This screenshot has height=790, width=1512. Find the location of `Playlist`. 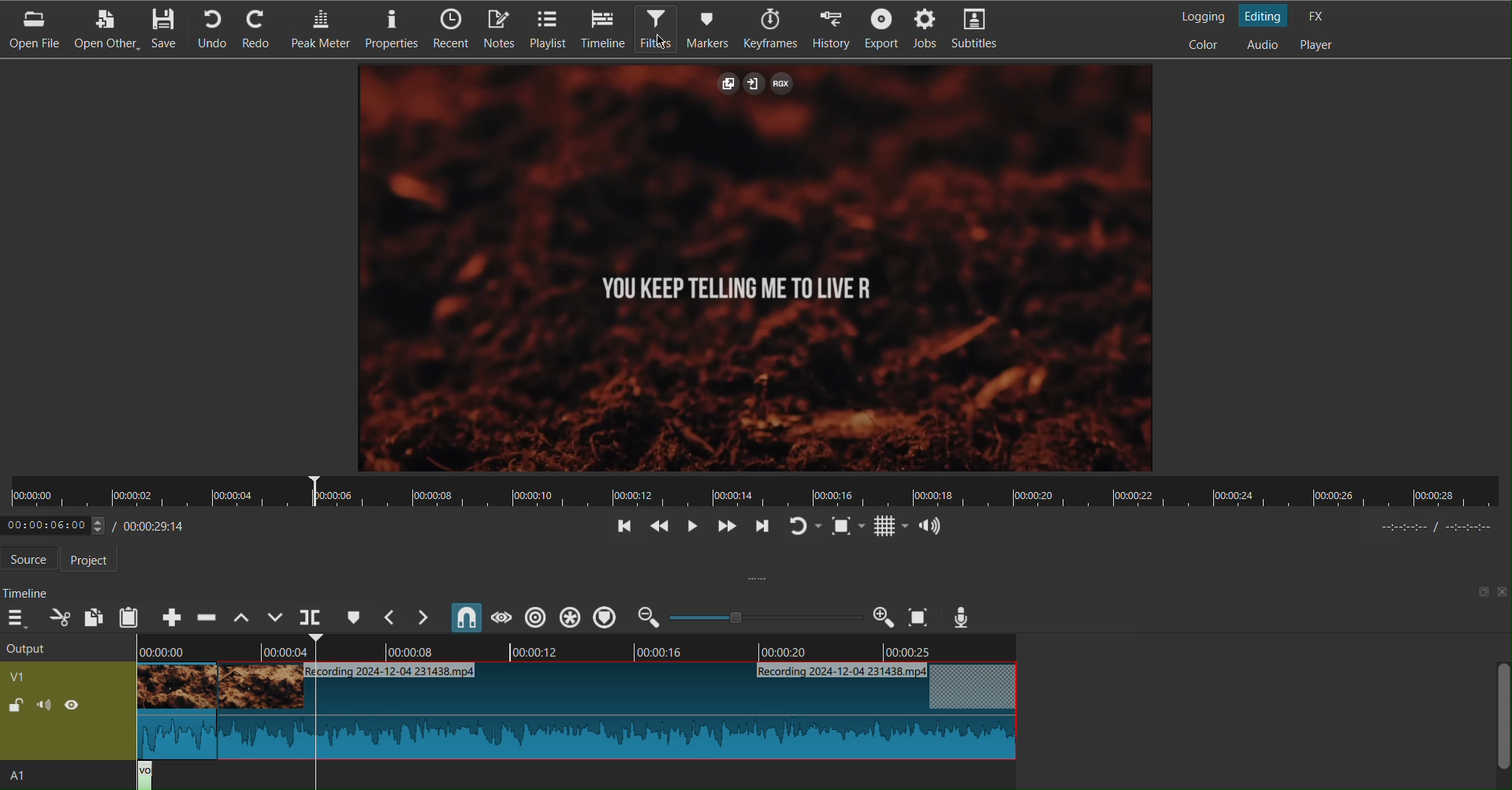

Playlist is located at coordinates (549, 28).